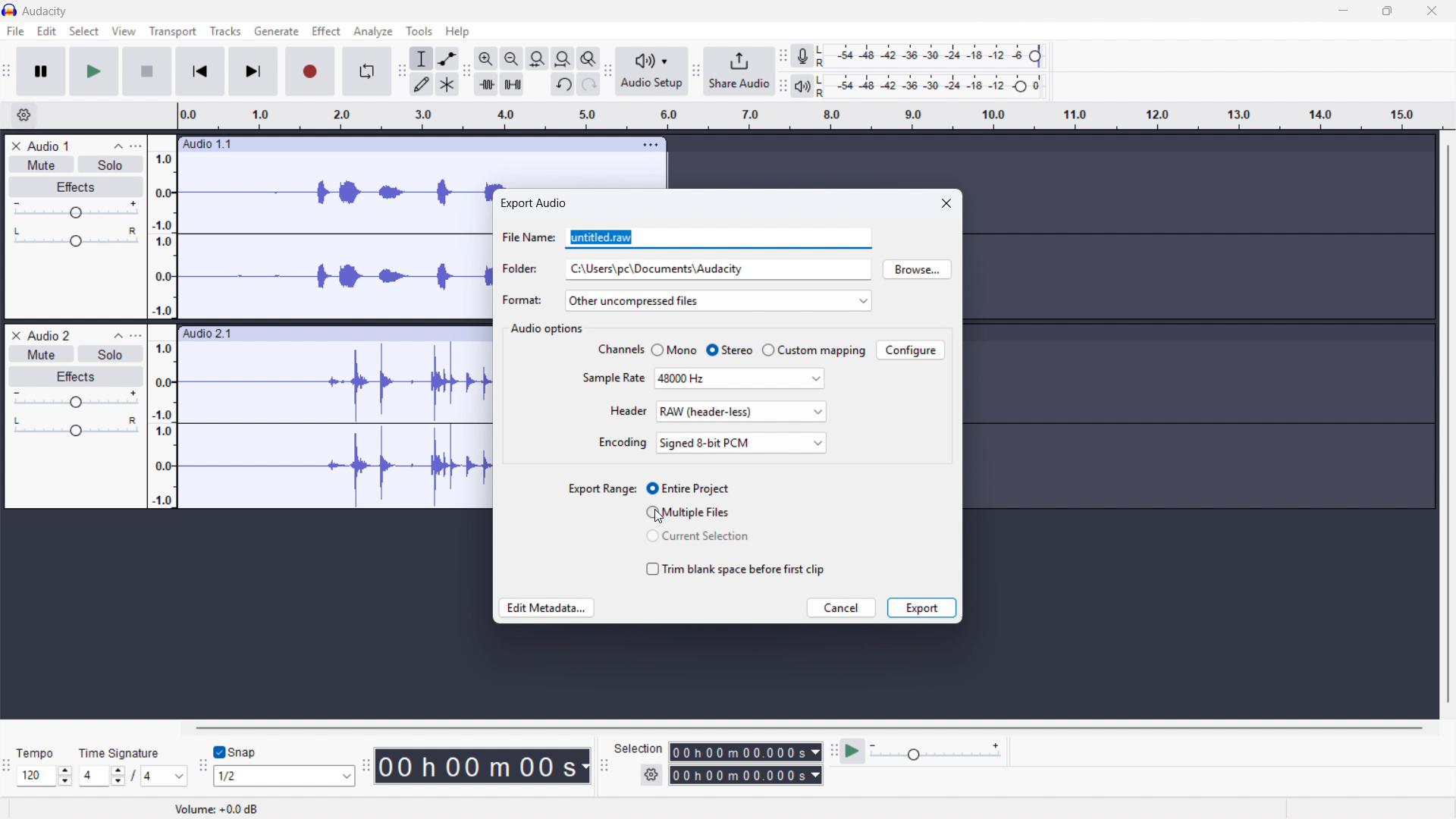 This screenshot has width=1456, height=819. I want to click on Edit toolbar , so click(400, 73).